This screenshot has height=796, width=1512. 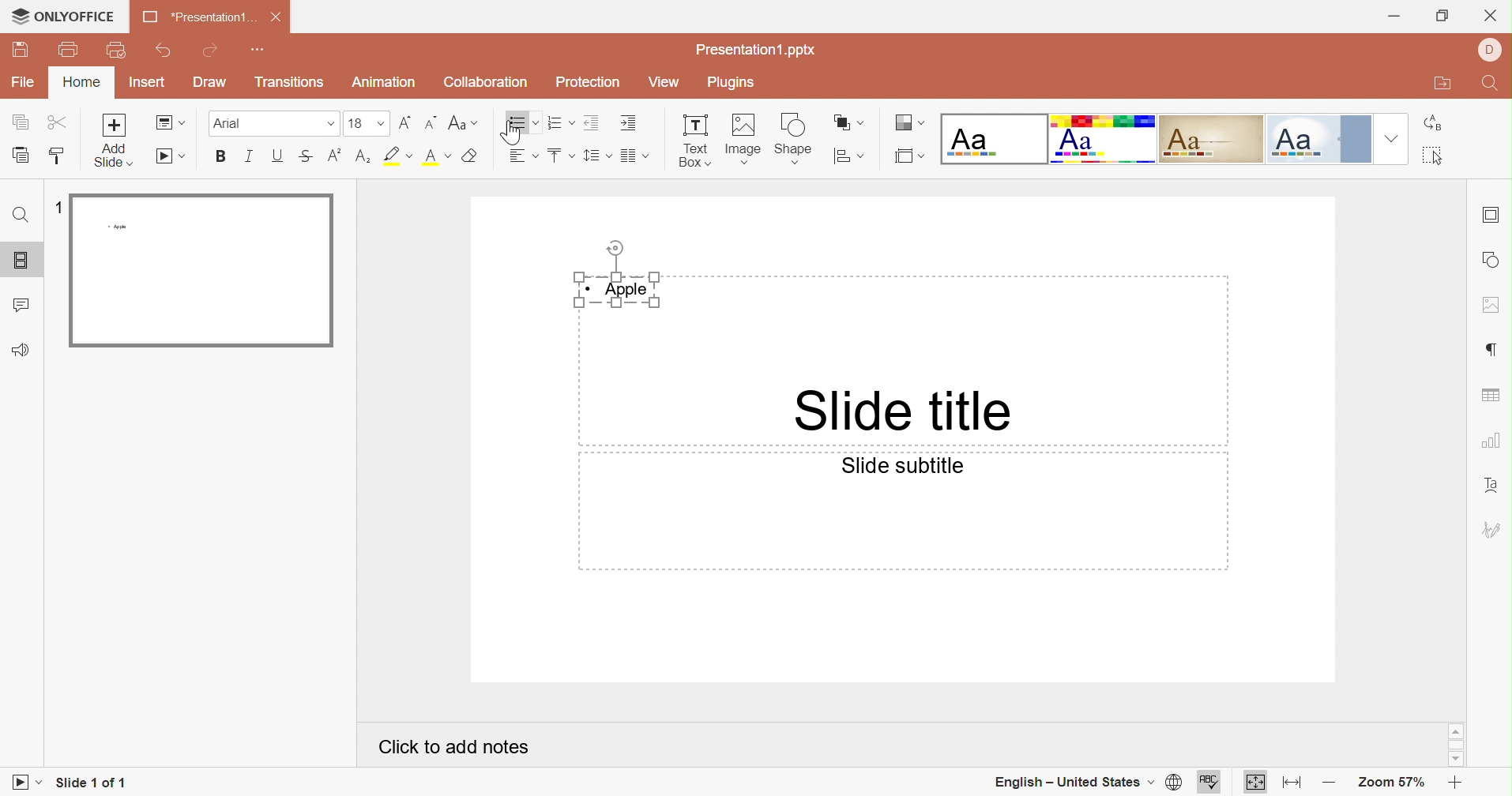 I want to click on spell checking, so click(x=1214, y=783).